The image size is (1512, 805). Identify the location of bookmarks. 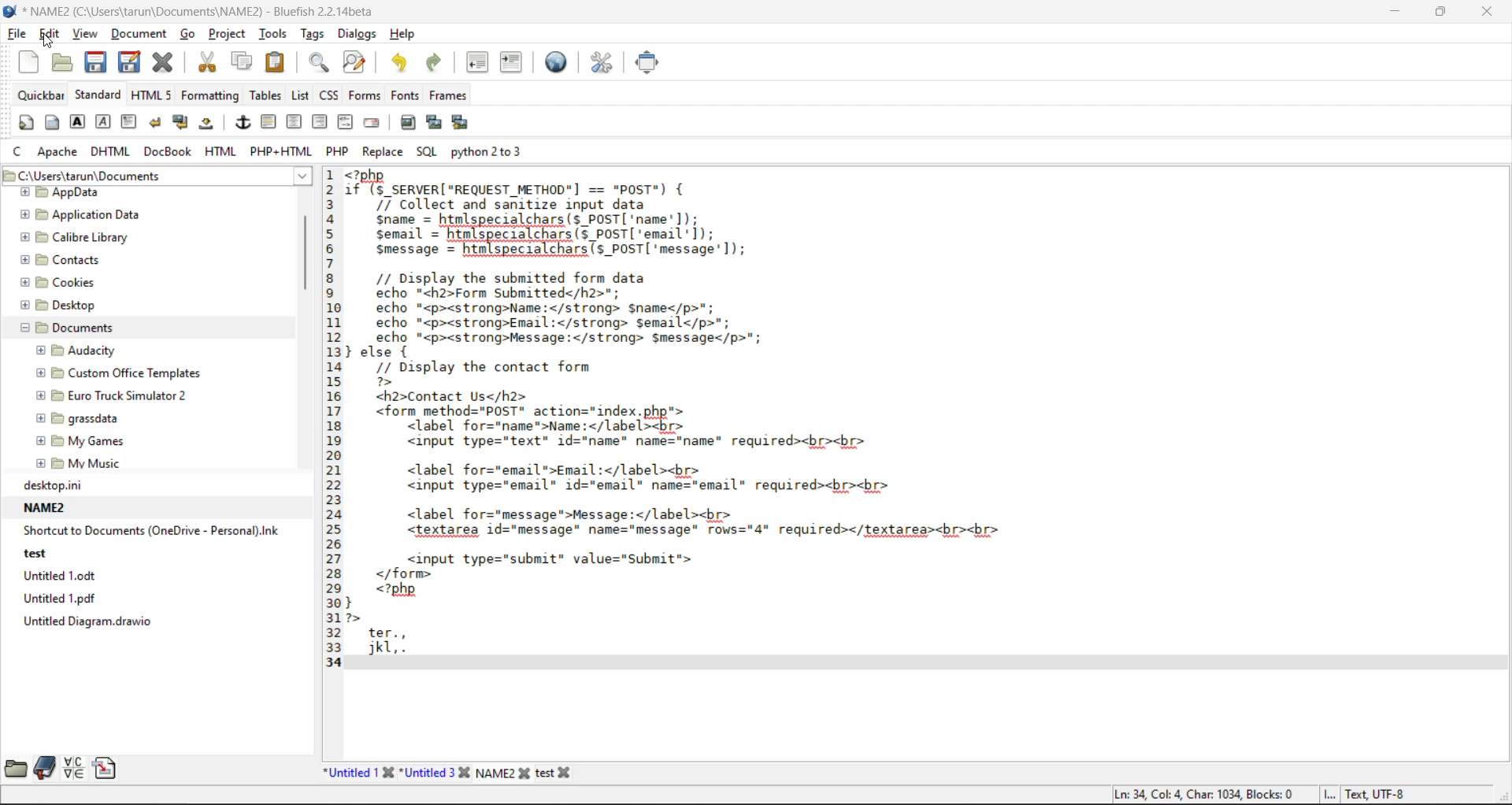
(43, 768).